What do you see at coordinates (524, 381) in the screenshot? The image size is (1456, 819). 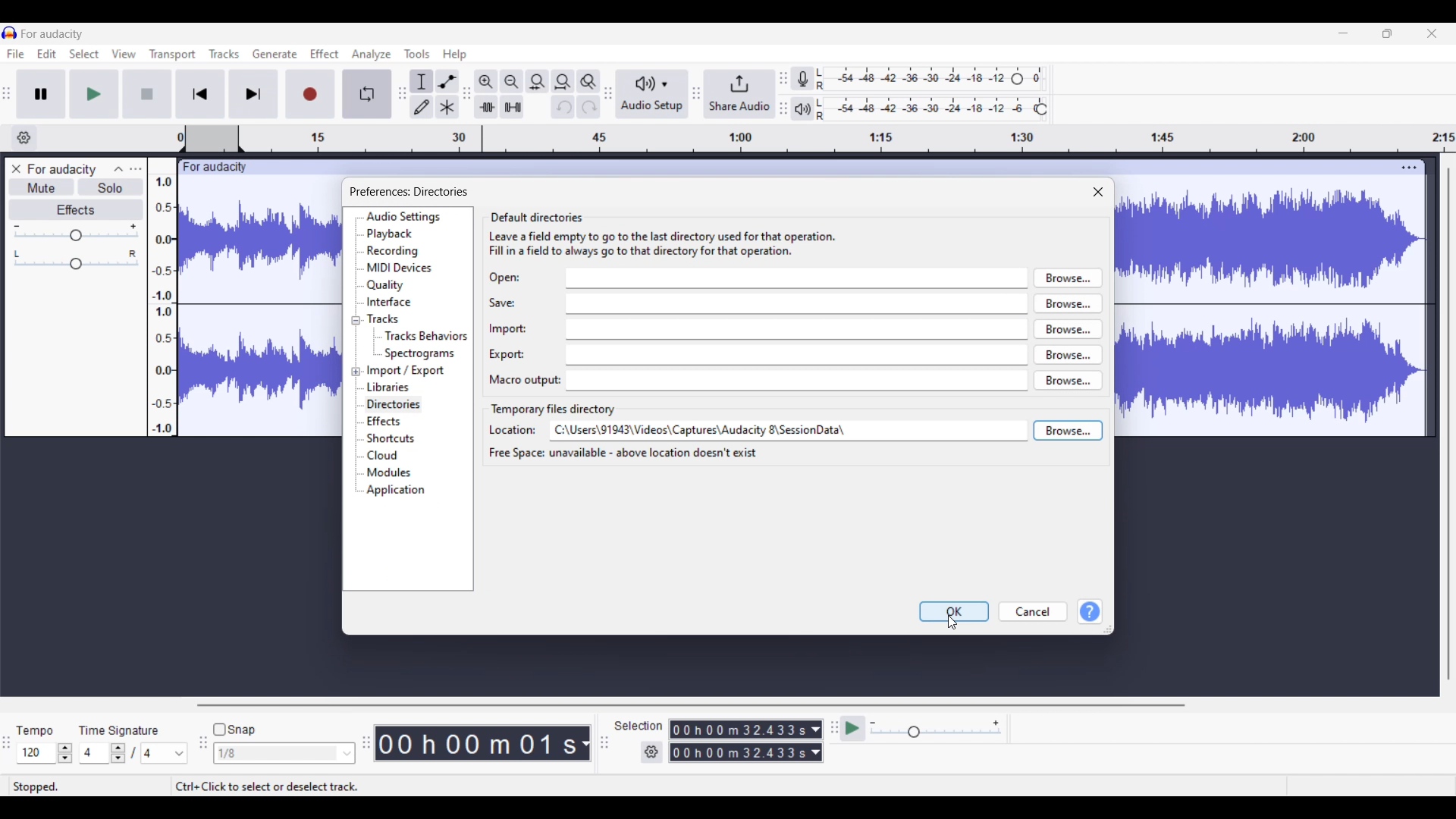 I see `Indicates text box for Macro output` at bounding box center [524, 381].